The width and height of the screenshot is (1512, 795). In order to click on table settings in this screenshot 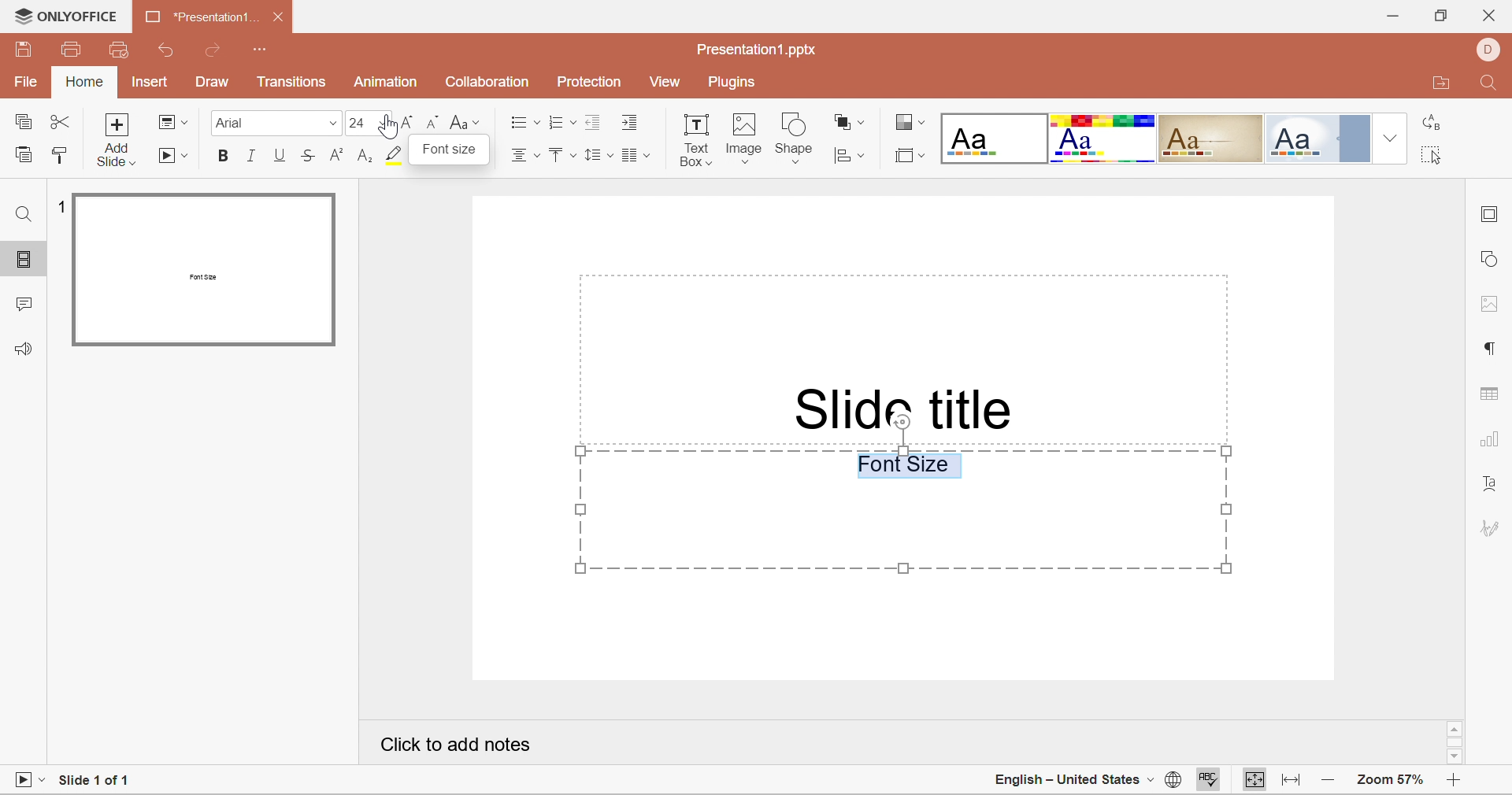, I will do `click(1493, 397)`.